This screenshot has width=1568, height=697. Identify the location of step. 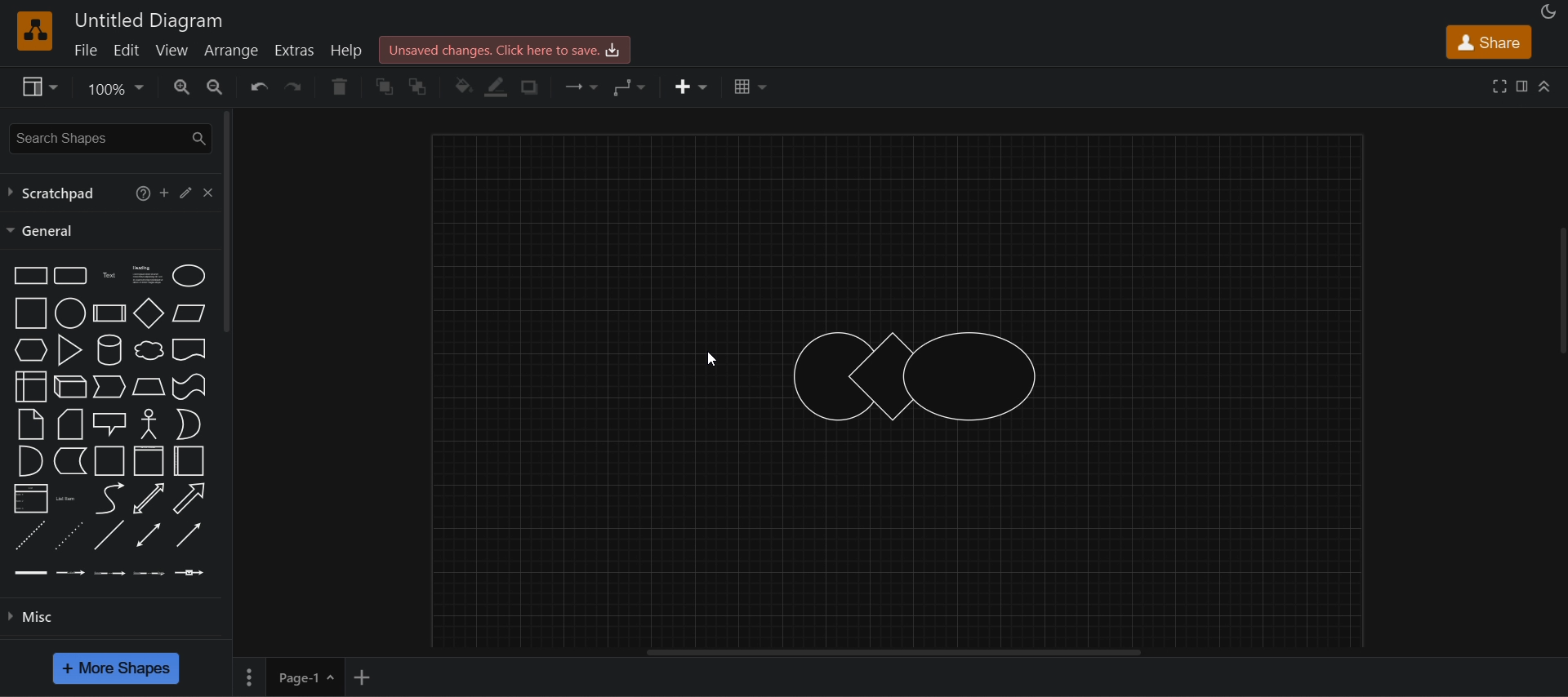
(108, 388).